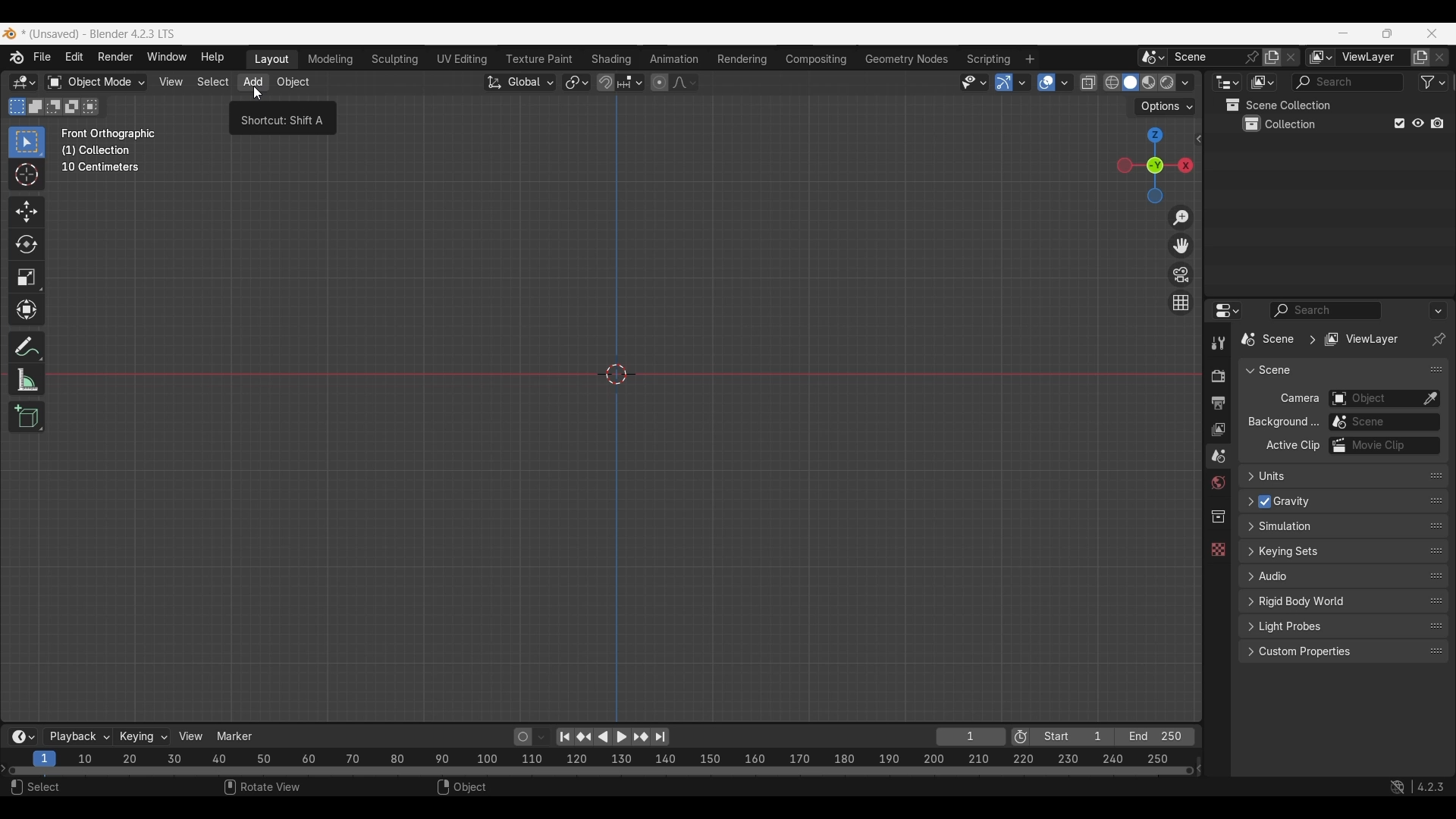 This screenshot has height=819, width=1456. What do you see at coordinates (460, 789) in the screenshot?
I see `Object` at bounding box center [460, 789].